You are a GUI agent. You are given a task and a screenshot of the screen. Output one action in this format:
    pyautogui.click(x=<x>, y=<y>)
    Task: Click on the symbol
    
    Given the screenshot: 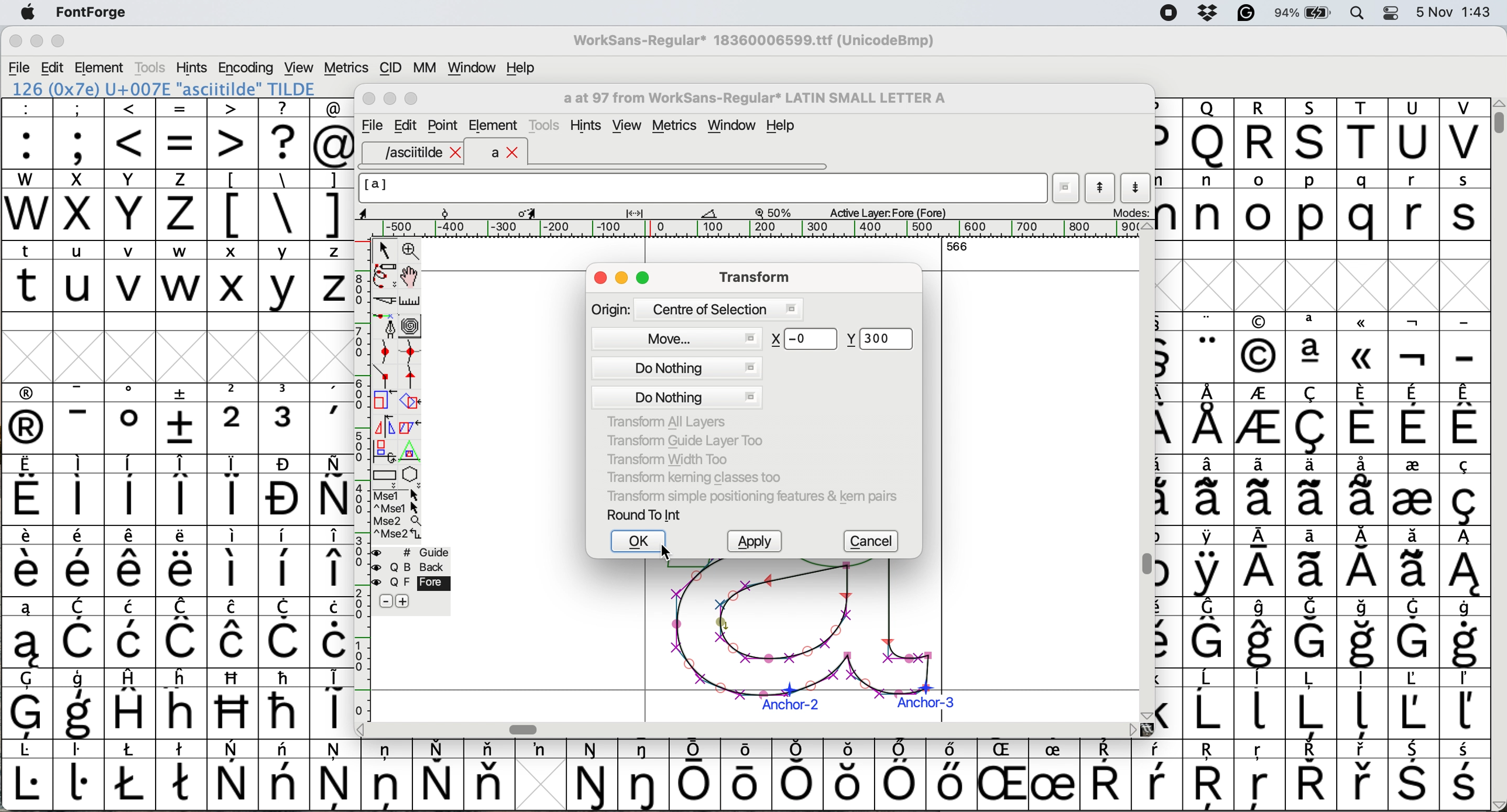 What is the action you would take?
    pyautogui.click(x=80, y=419)
    